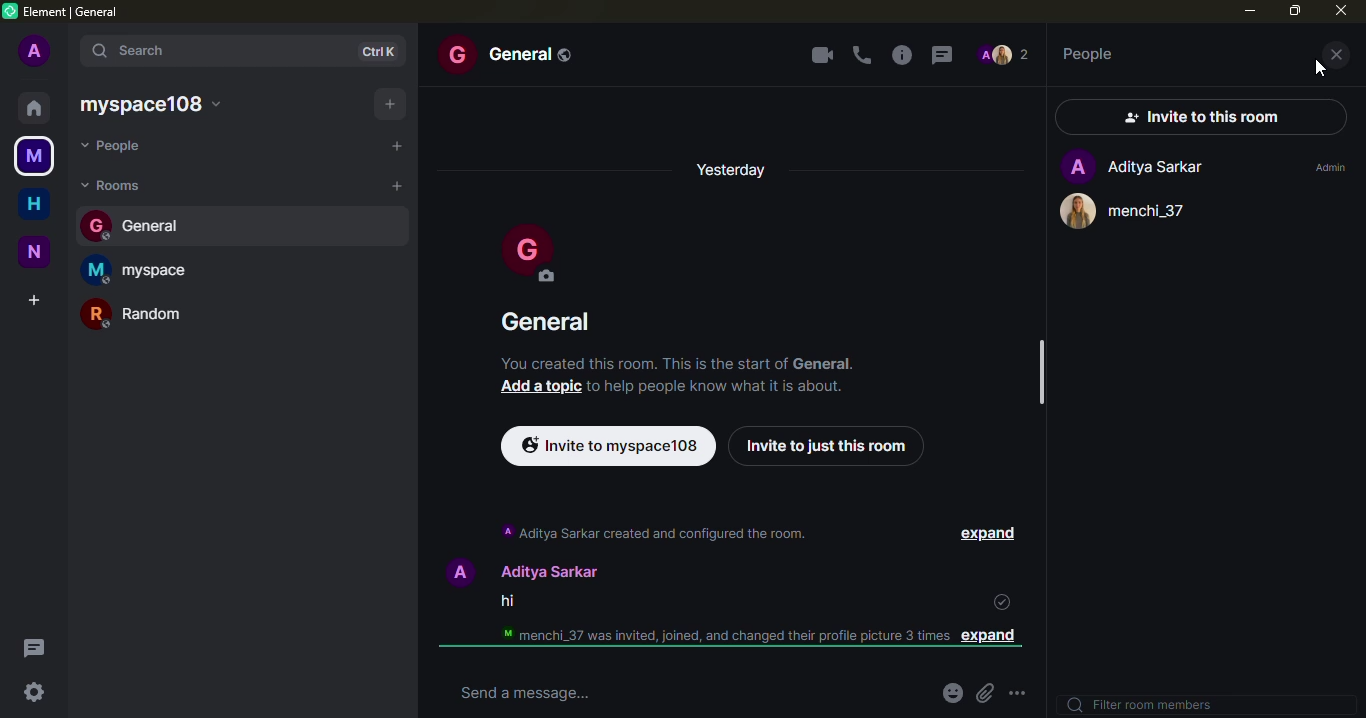  Describe the element at coordinates (606, 444) in the screenshot. I see `invite to myspace108` at that location.